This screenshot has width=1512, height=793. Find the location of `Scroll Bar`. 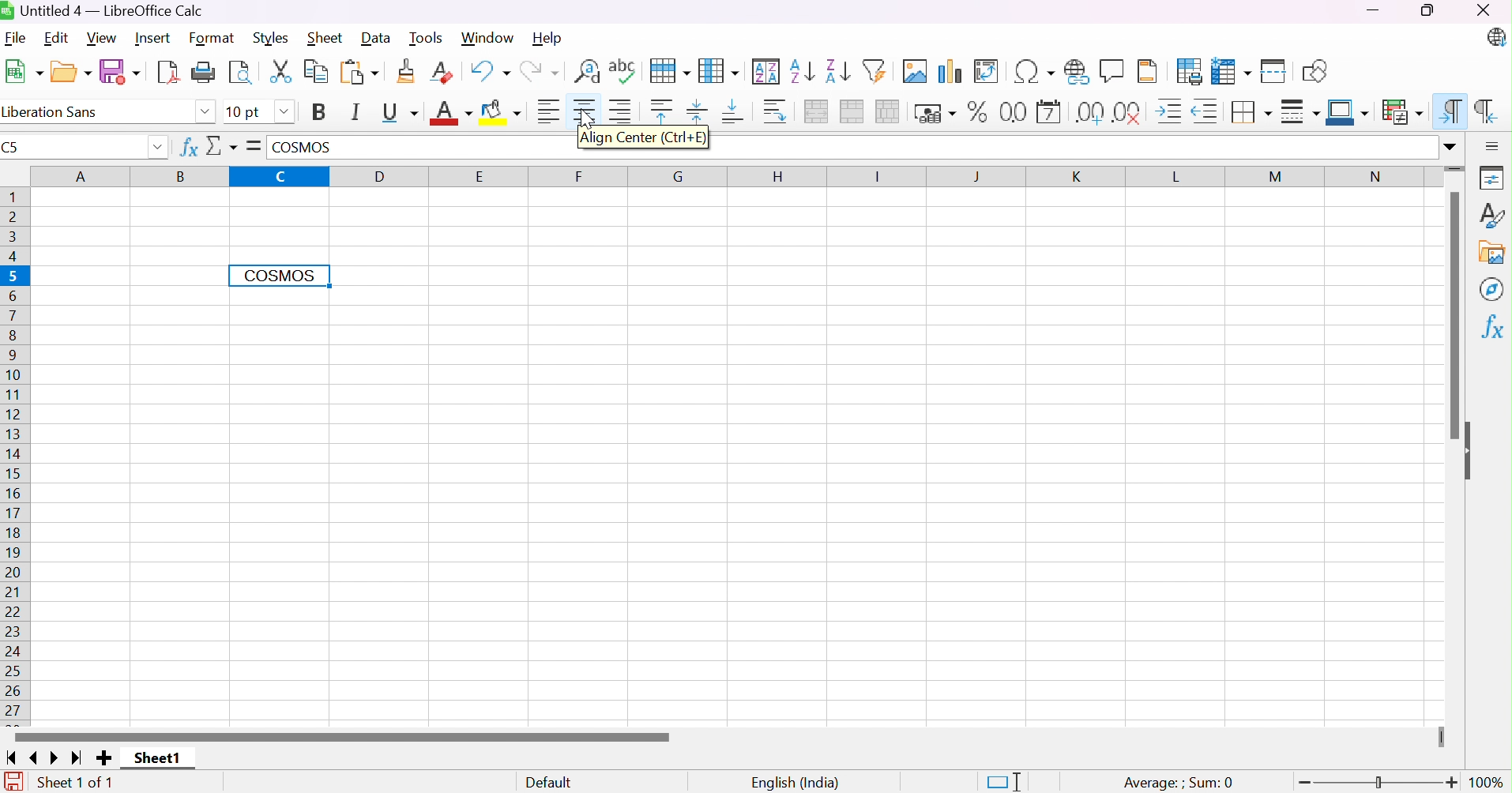

Scroll Bar is located at coordinates (344, 736).